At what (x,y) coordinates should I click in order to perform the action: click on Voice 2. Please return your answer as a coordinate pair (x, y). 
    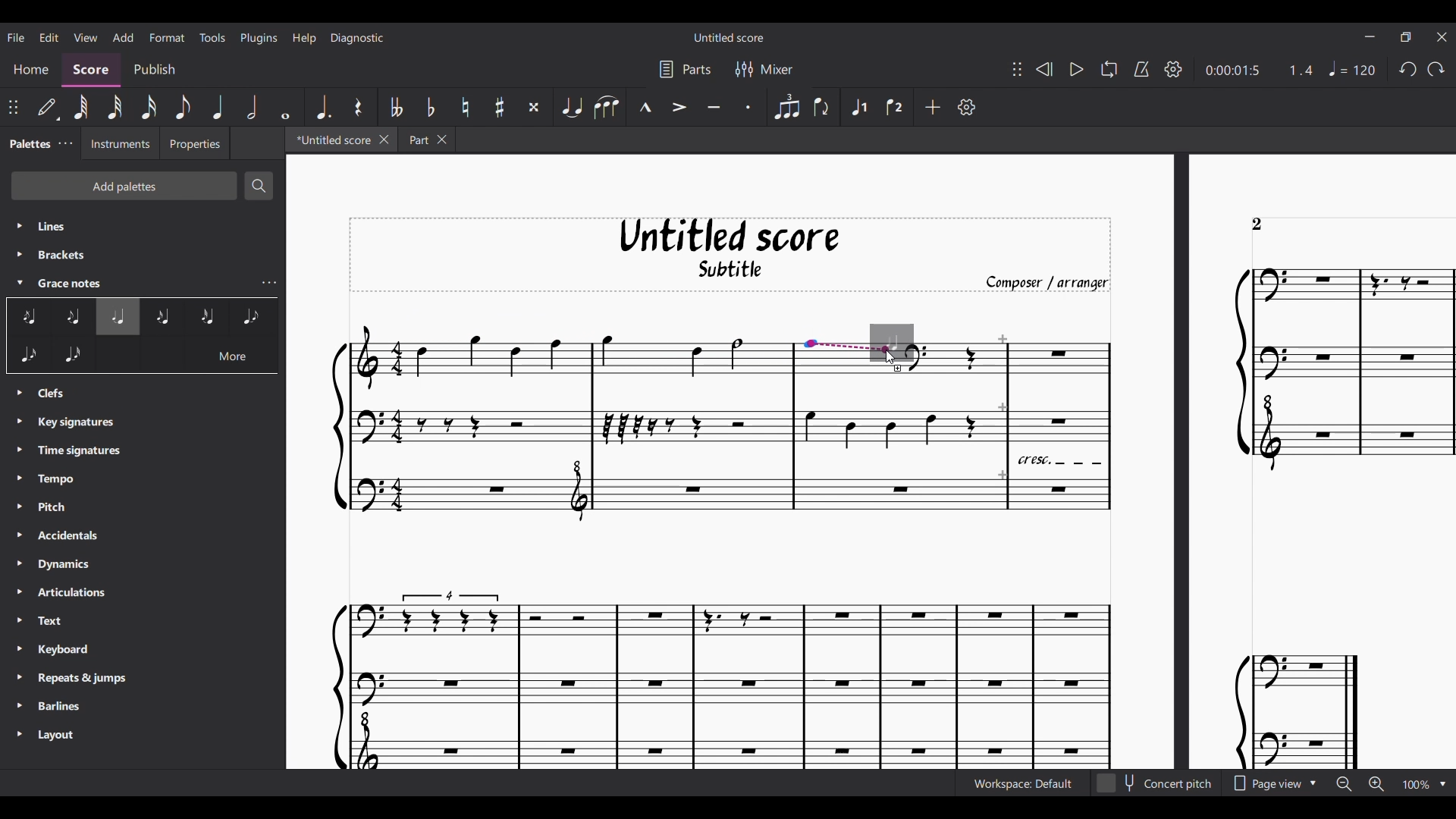
    Looking at the image, I should click on (896, 107).